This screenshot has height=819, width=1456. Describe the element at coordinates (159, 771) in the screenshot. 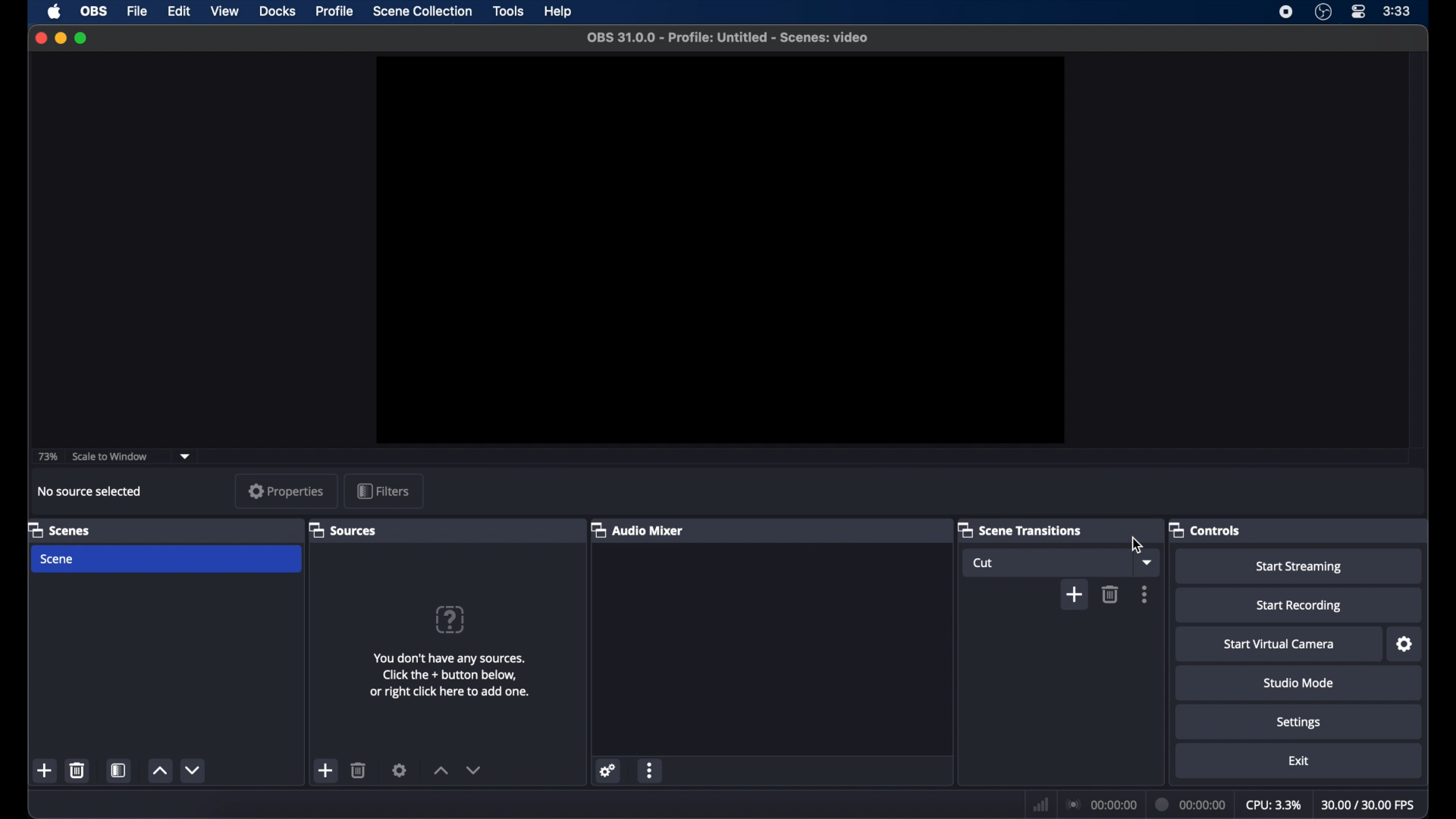

I see `up` at that location.